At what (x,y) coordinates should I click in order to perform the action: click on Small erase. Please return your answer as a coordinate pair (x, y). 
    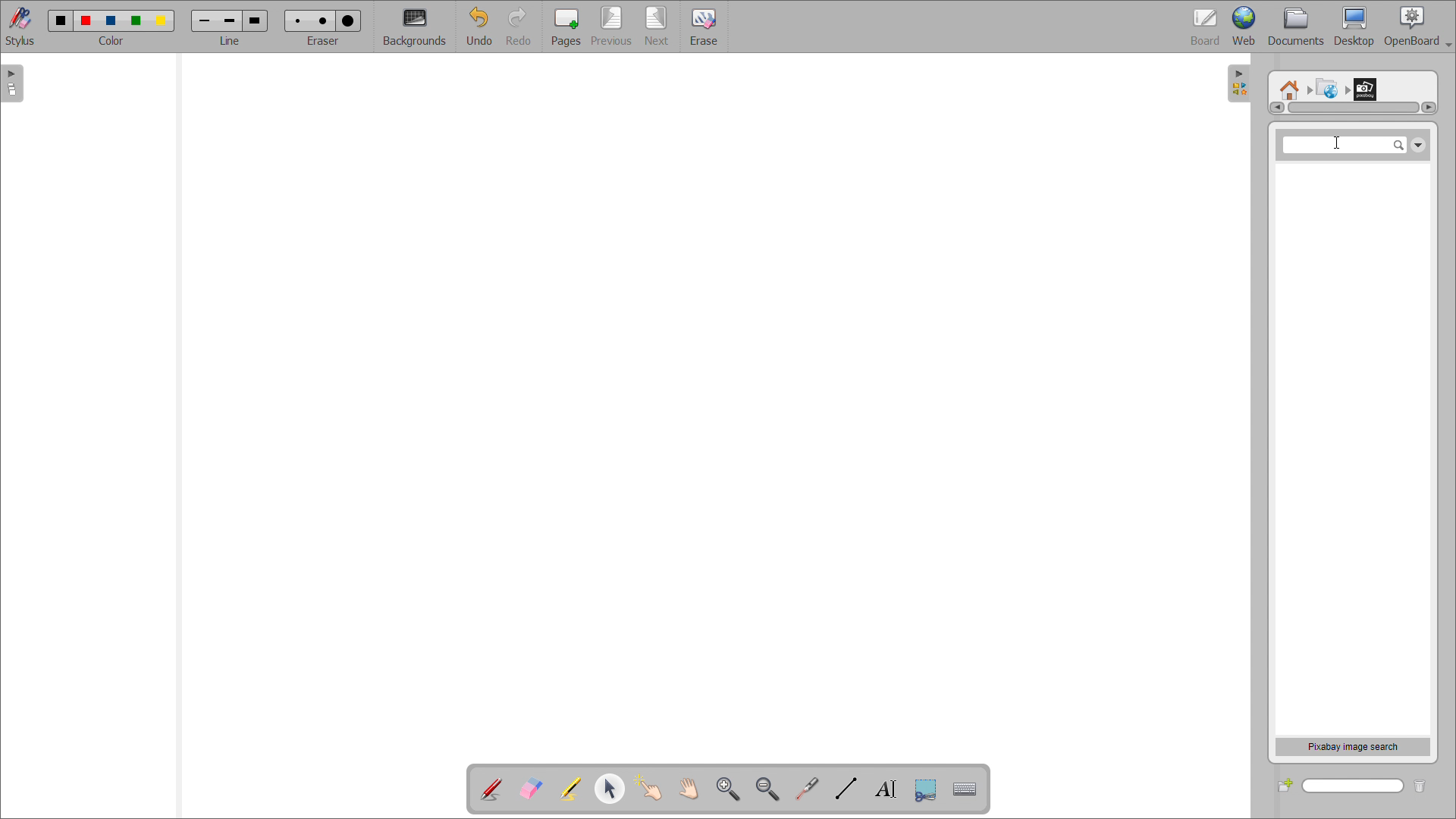
    Looking at the image, I should click on (295, 18).